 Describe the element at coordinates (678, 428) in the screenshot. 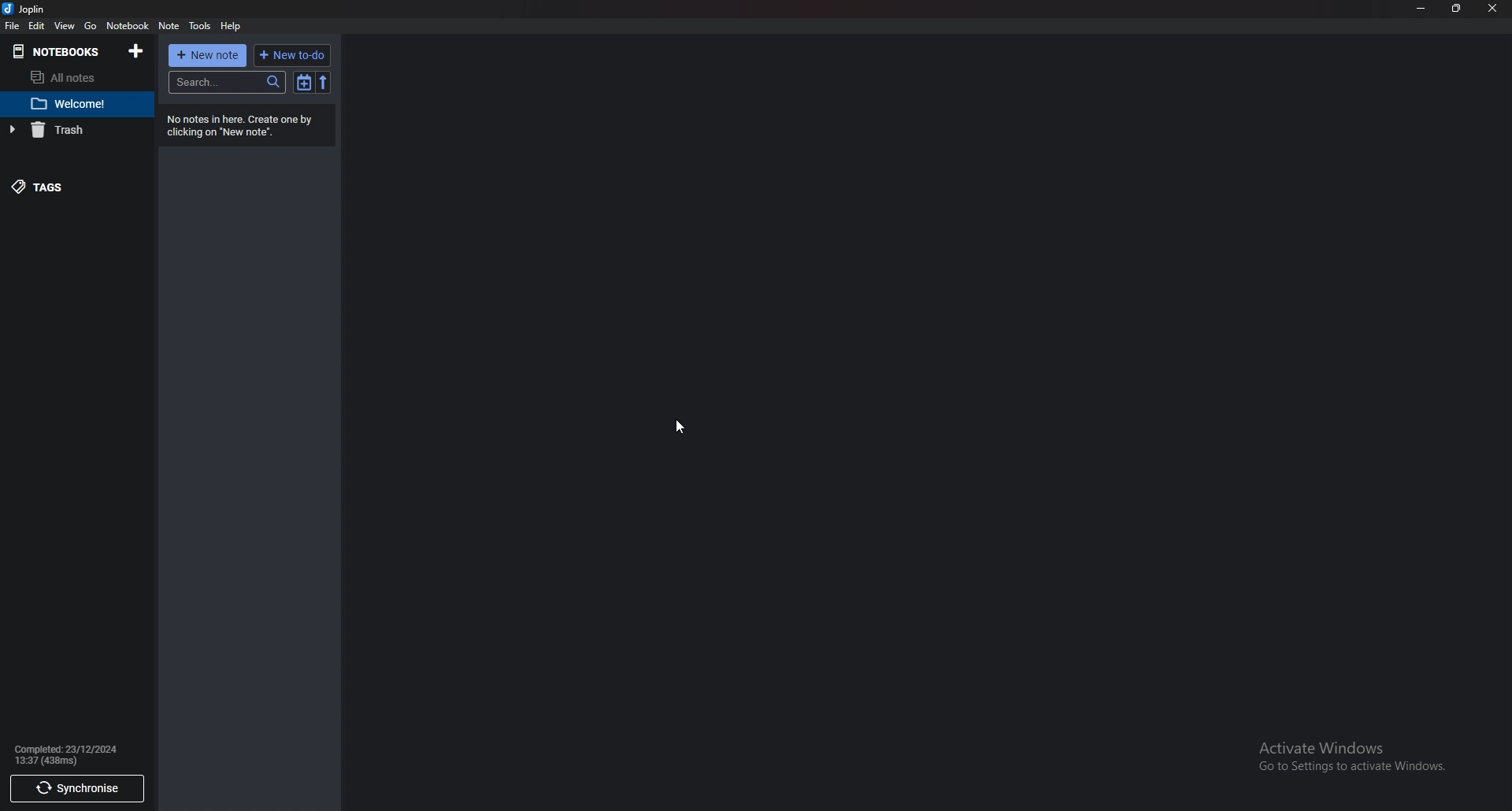

I see `cursor` at that location.